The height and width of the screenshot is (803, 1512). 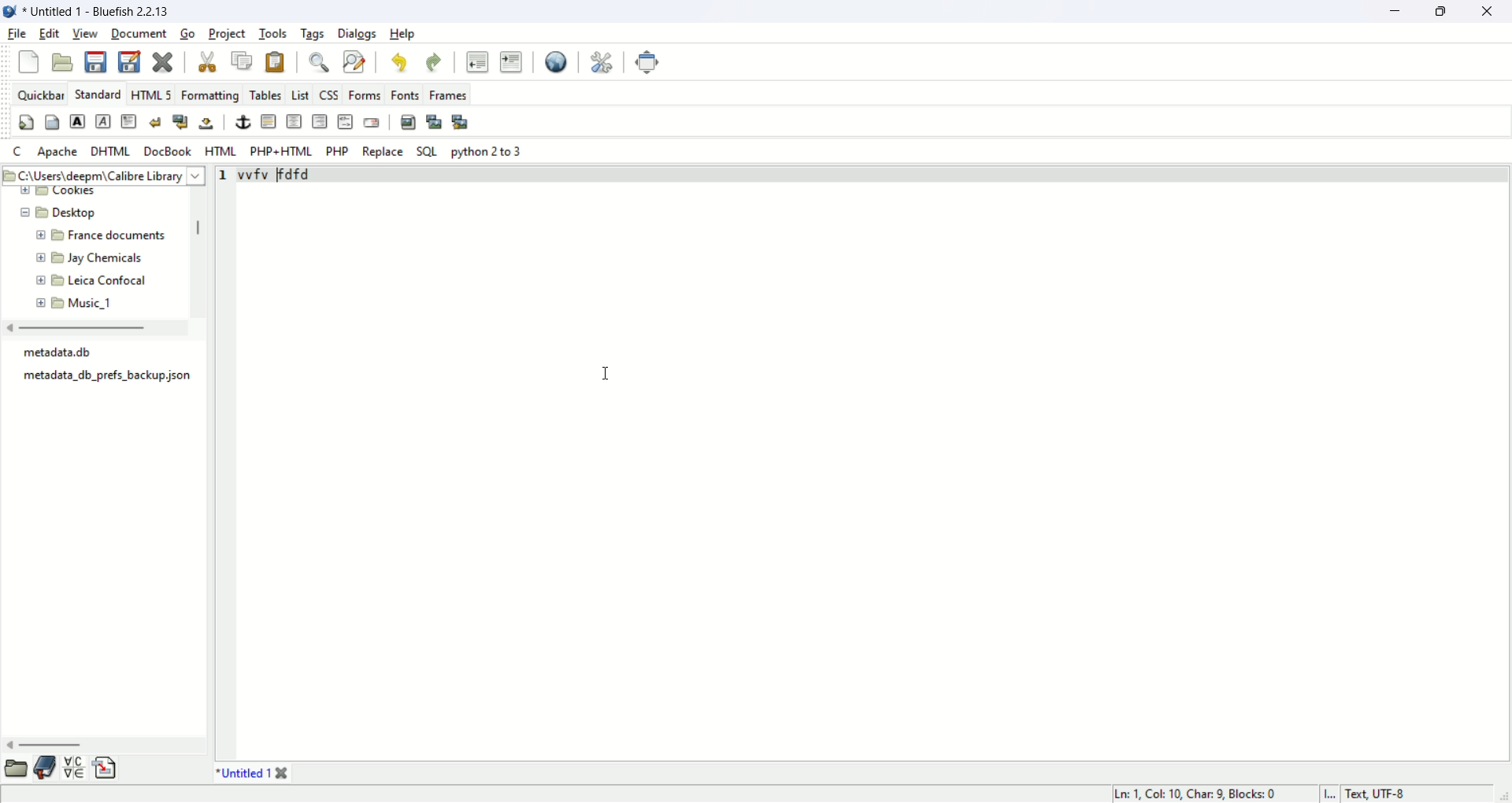 What do you see at coordinates (103, 745) in the screenshot?
I see `scroll bar` at bounding box center [103, 745].